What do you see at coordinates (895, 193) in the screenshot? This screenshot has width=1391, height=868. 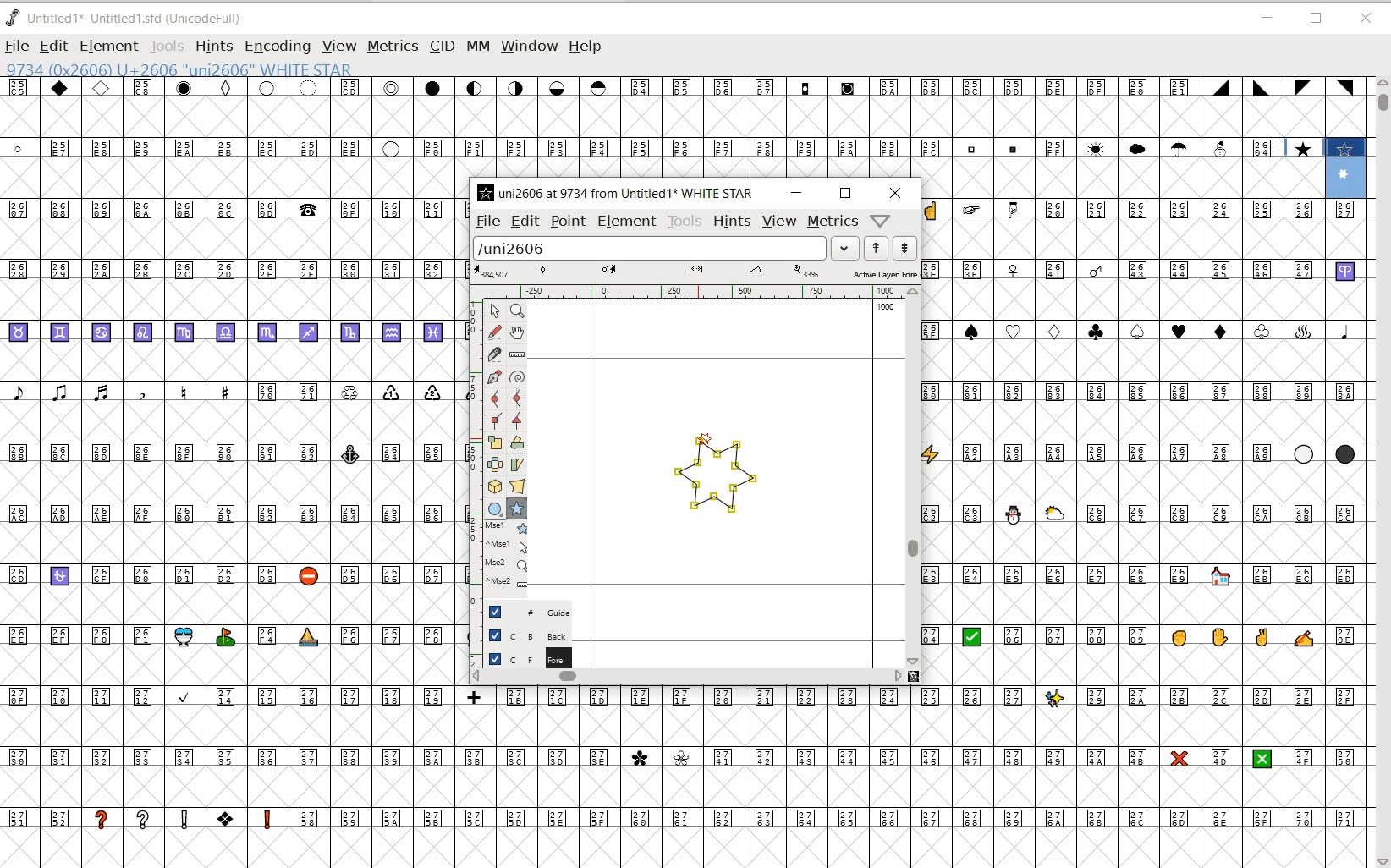 I see `CLOSE` at bounding box center [895, 193].